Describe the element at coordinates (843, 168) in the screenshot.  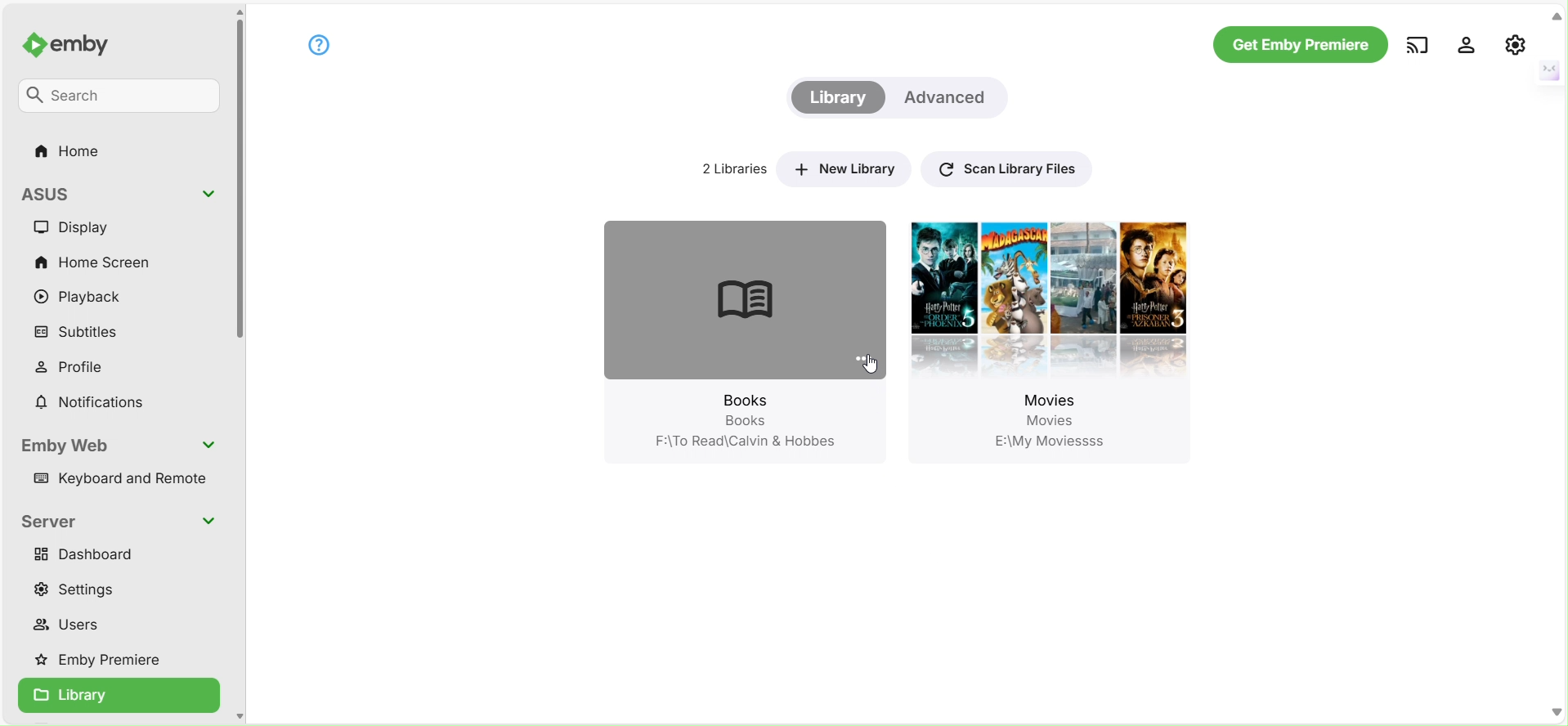
I see `Add New Libray` at that location.